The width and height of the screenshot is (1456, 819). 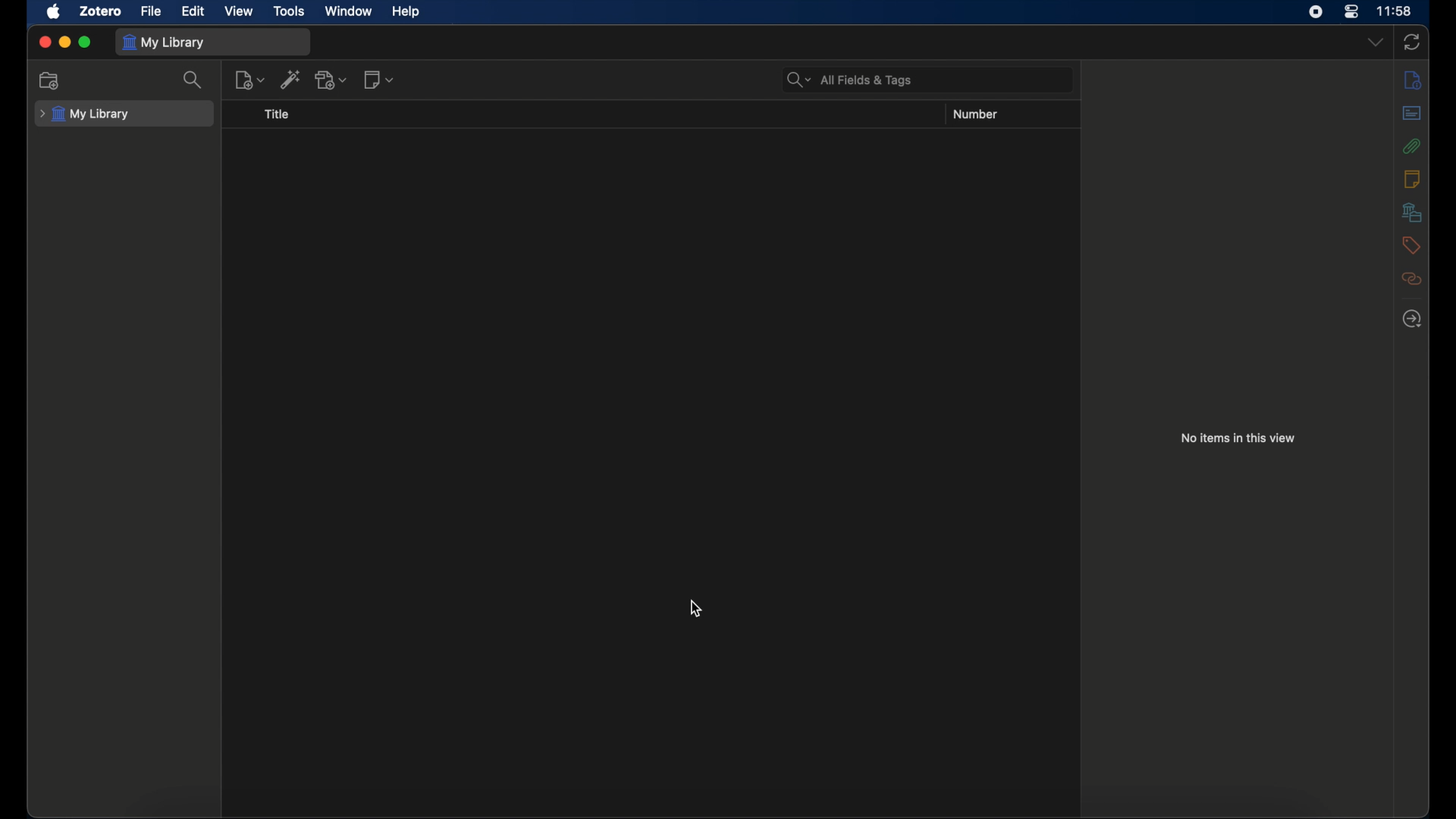 I want to click on minimize, so click(x=64, y=42).